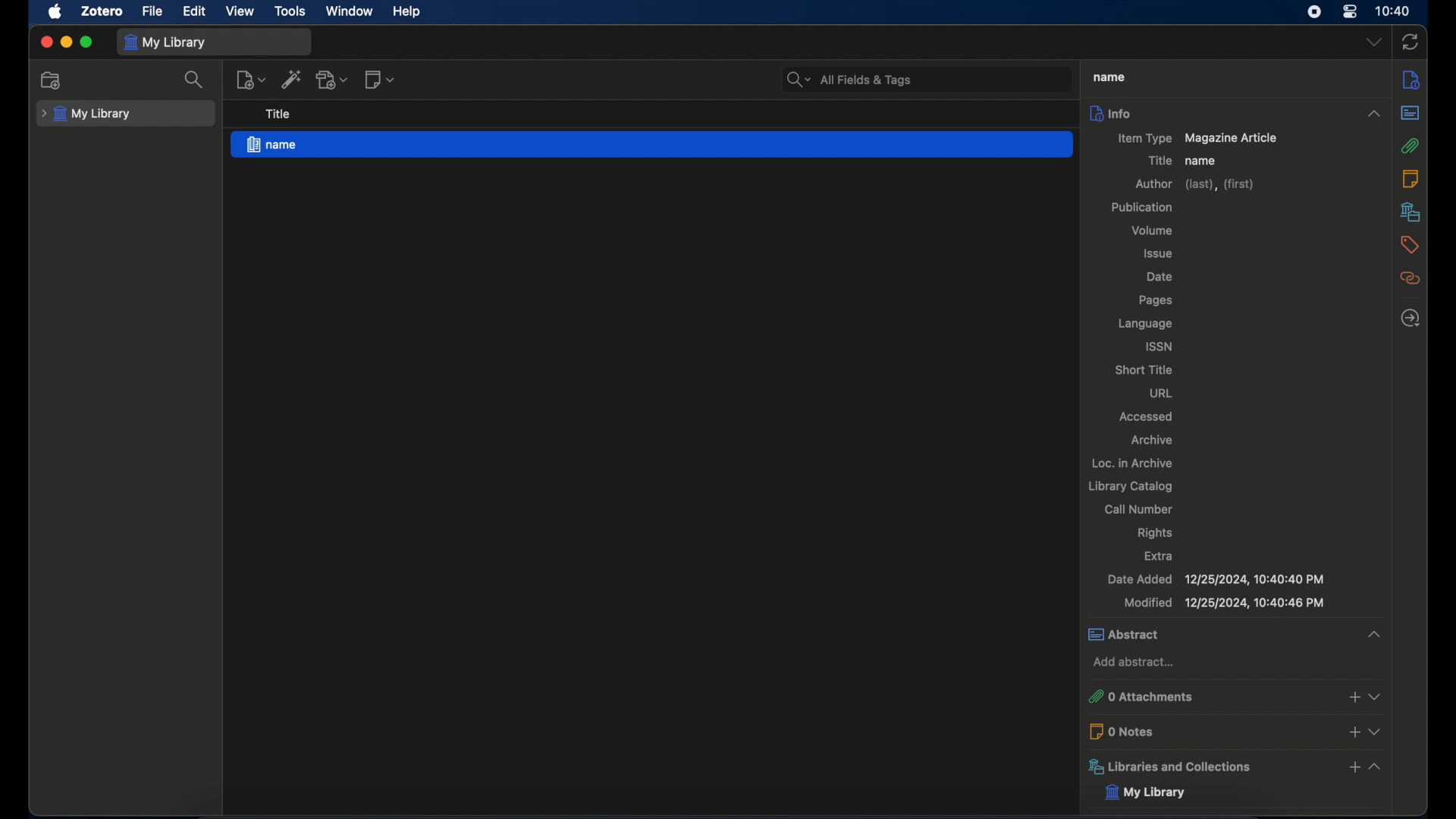 The image size is (1456, 819). Describe the element at coordinates (65, 42) in the screenshot. I see `minimize` at that location.